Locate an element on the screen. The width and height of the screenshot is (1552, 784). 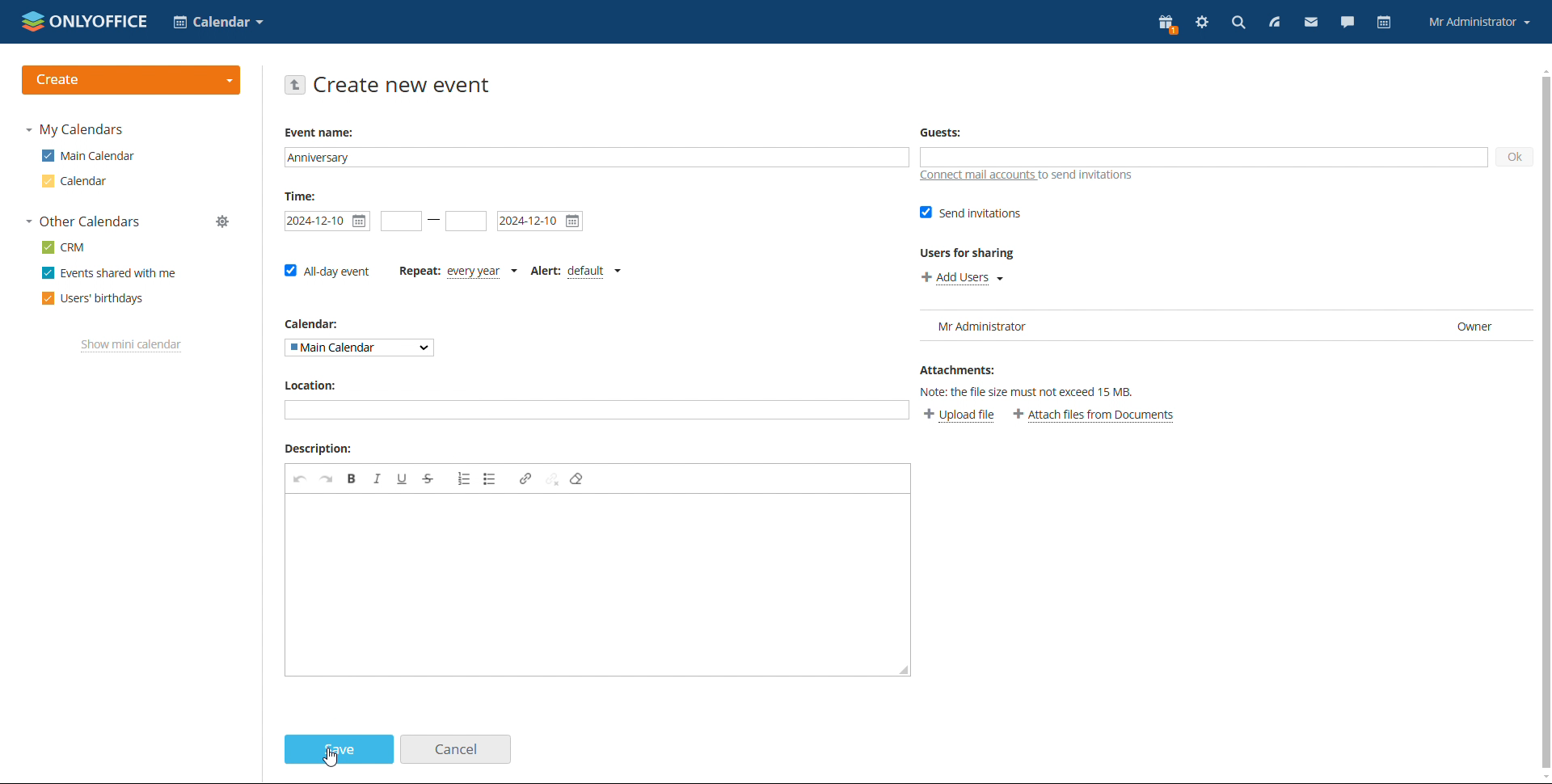
user list is located at coordinates (1224, 325).